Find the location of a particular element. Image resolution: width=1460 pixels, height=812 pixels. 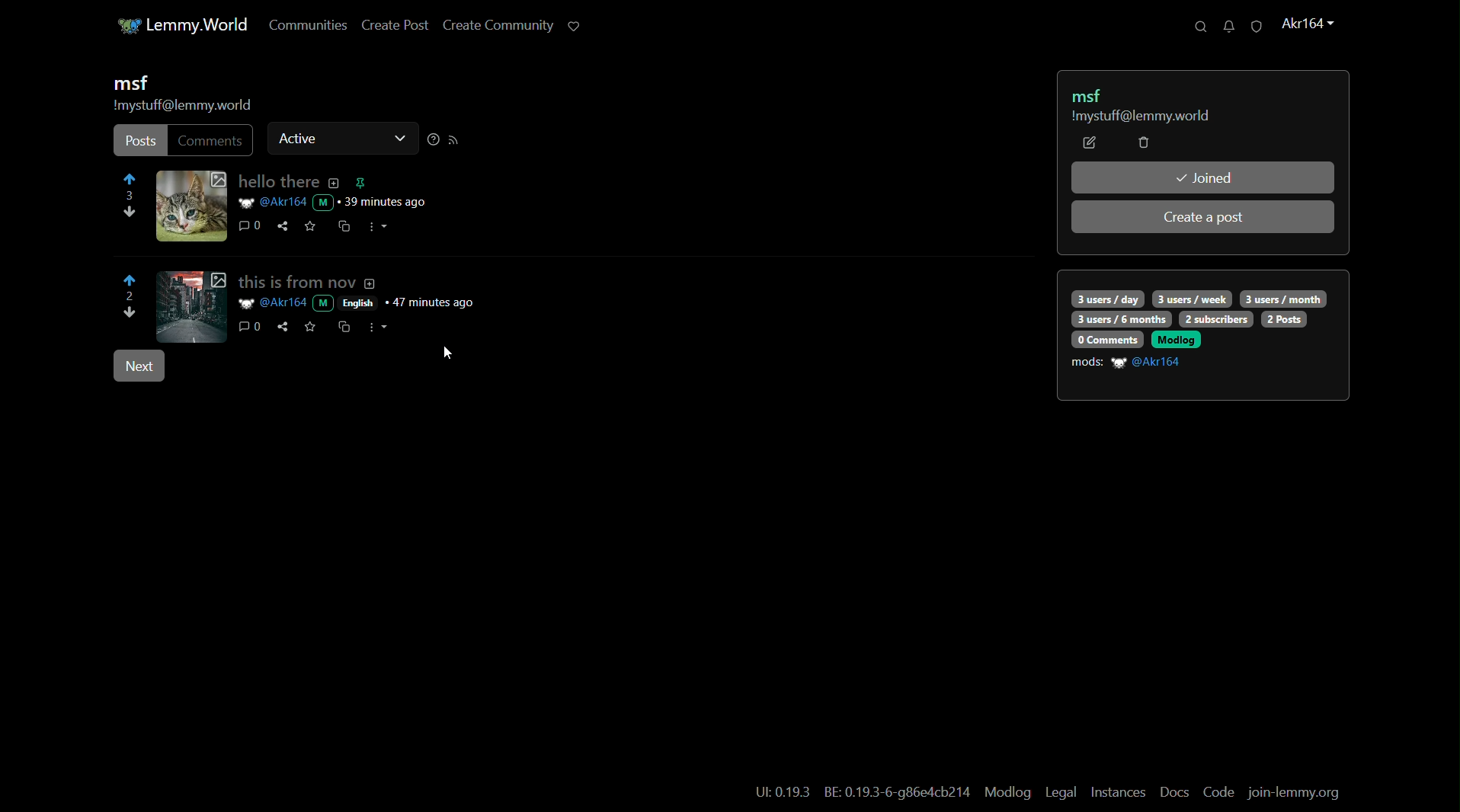

more is located at coordinates (379, 226).